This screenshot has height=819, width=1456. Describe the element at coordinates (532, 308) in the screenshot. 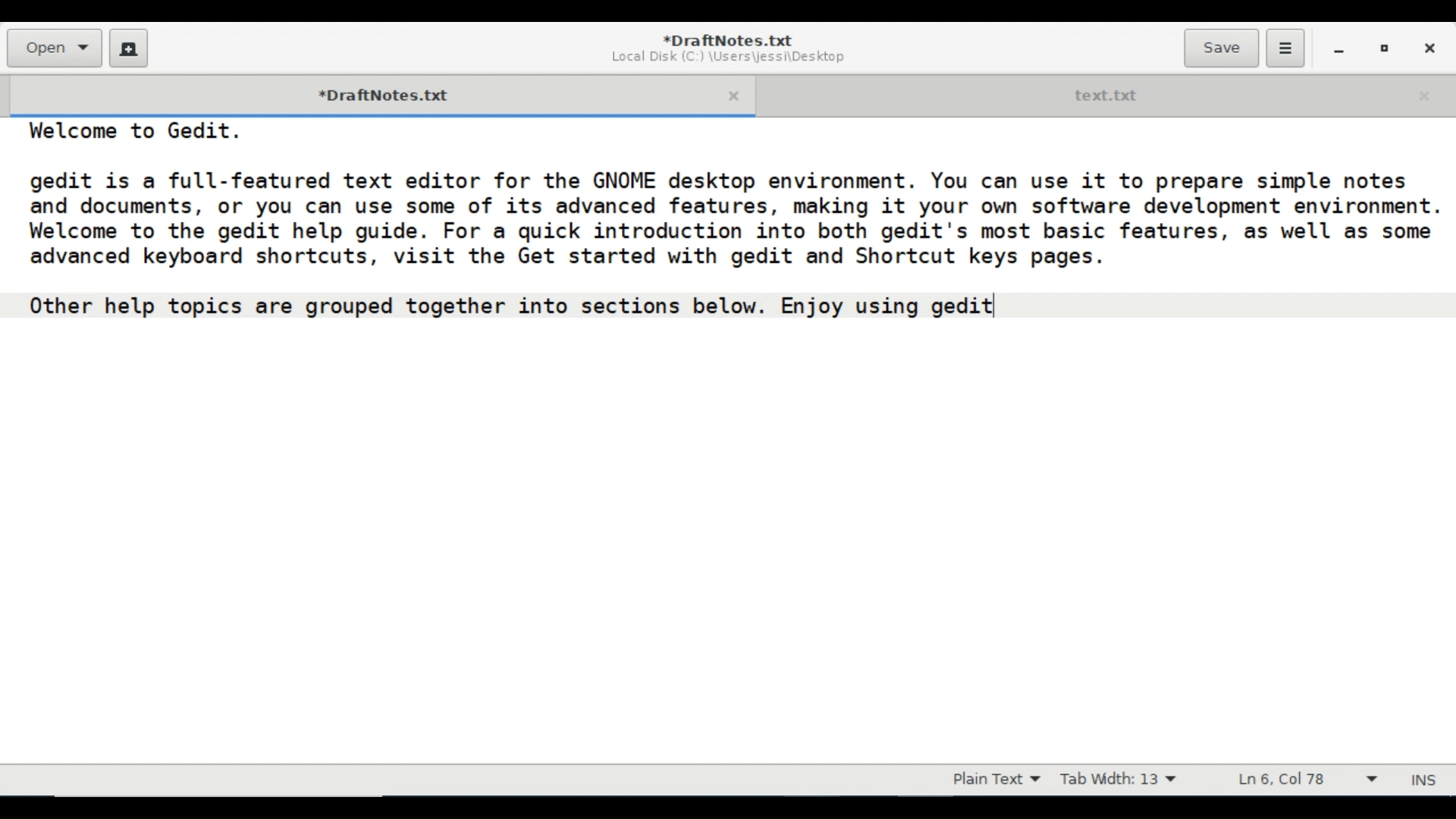

I see `Other help topics are grouped together into sections below. Enjoy using gedit]` at that location.